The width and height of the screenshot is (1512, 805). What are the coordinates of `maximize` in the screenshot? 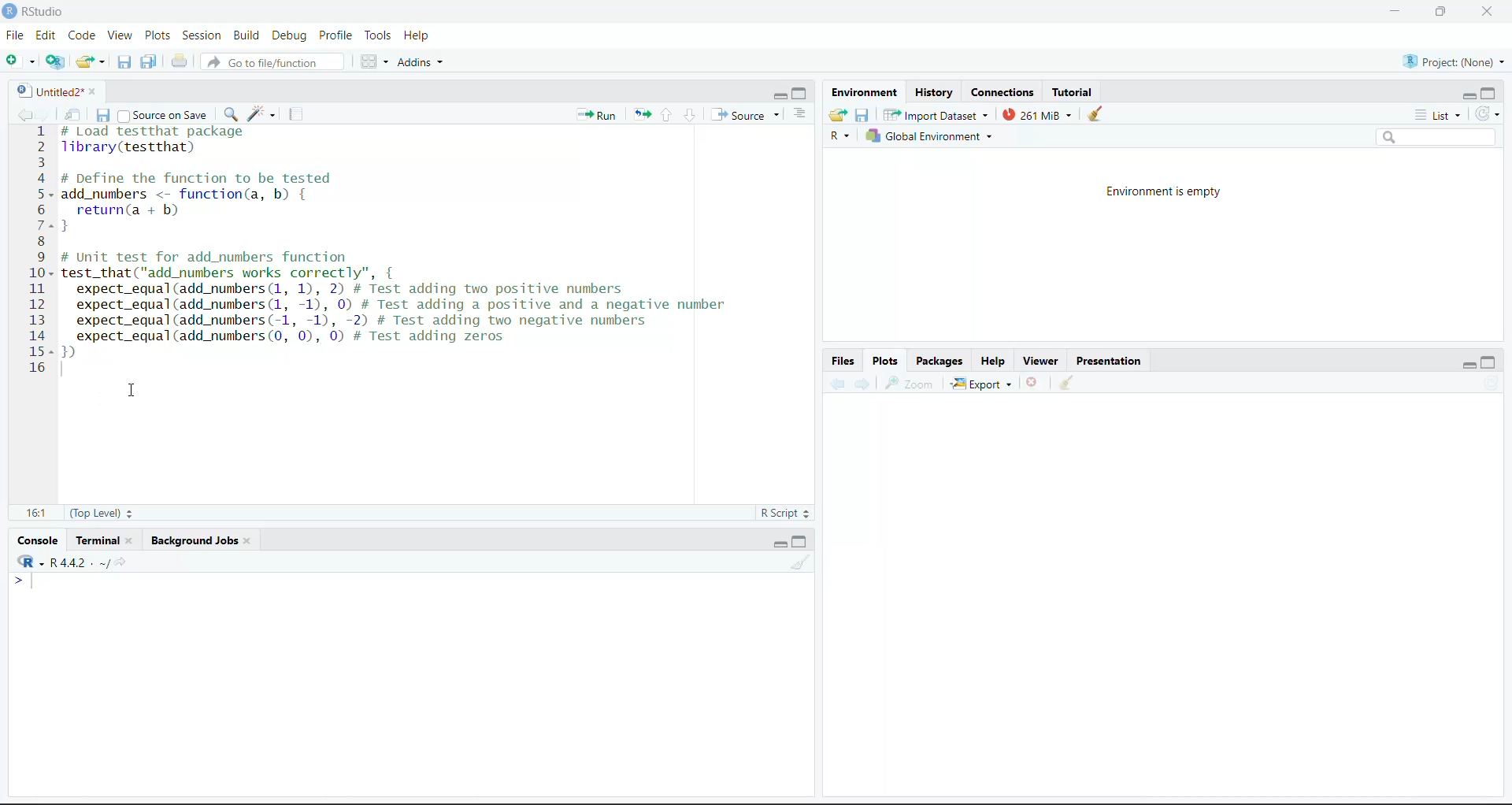 It's located at (1491, 361).